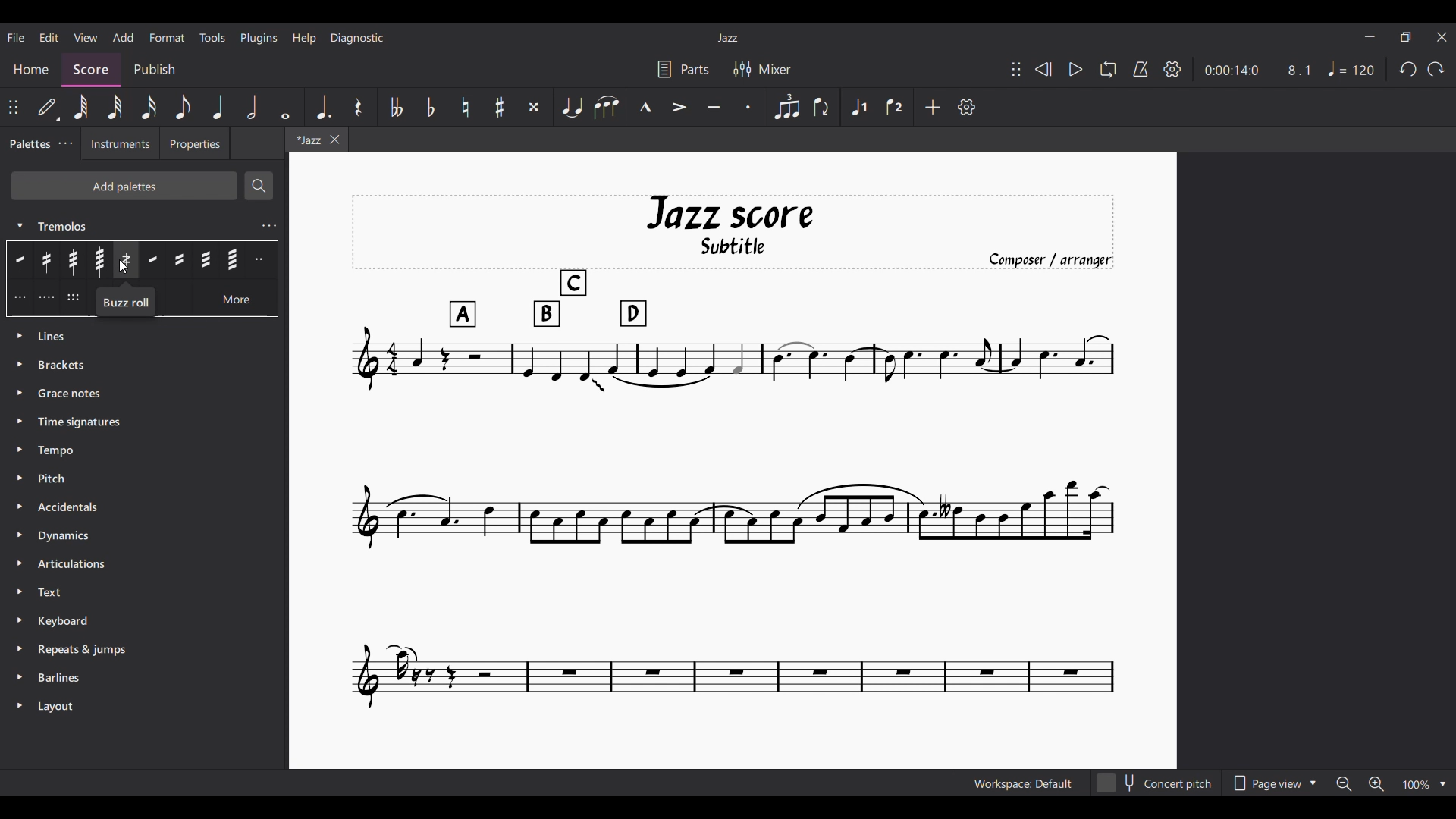 The image size is (1456, 819). I want to click on Home, so click(30, 70).